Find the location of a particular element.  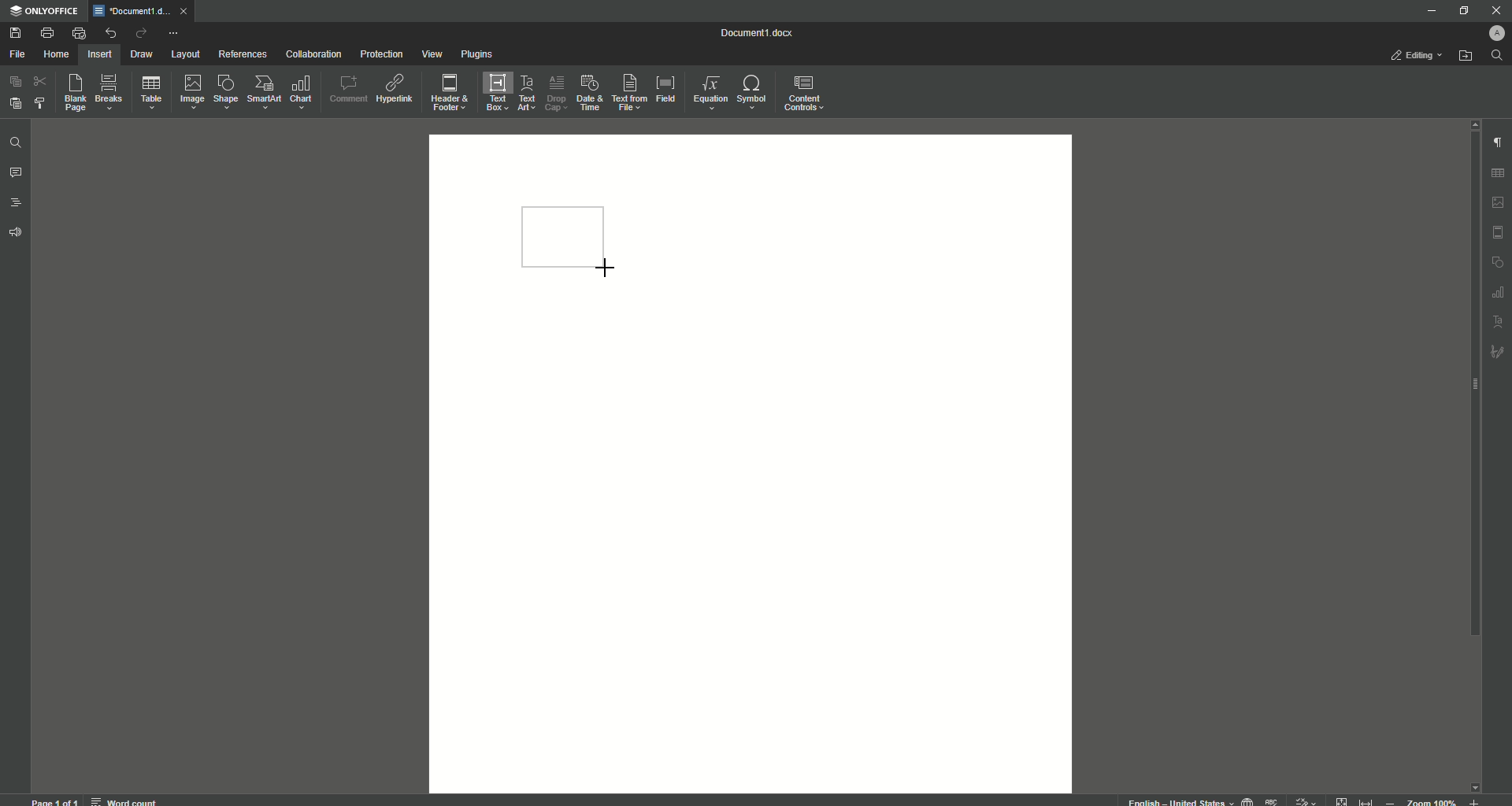

Table is located at coordinates (151, 95).